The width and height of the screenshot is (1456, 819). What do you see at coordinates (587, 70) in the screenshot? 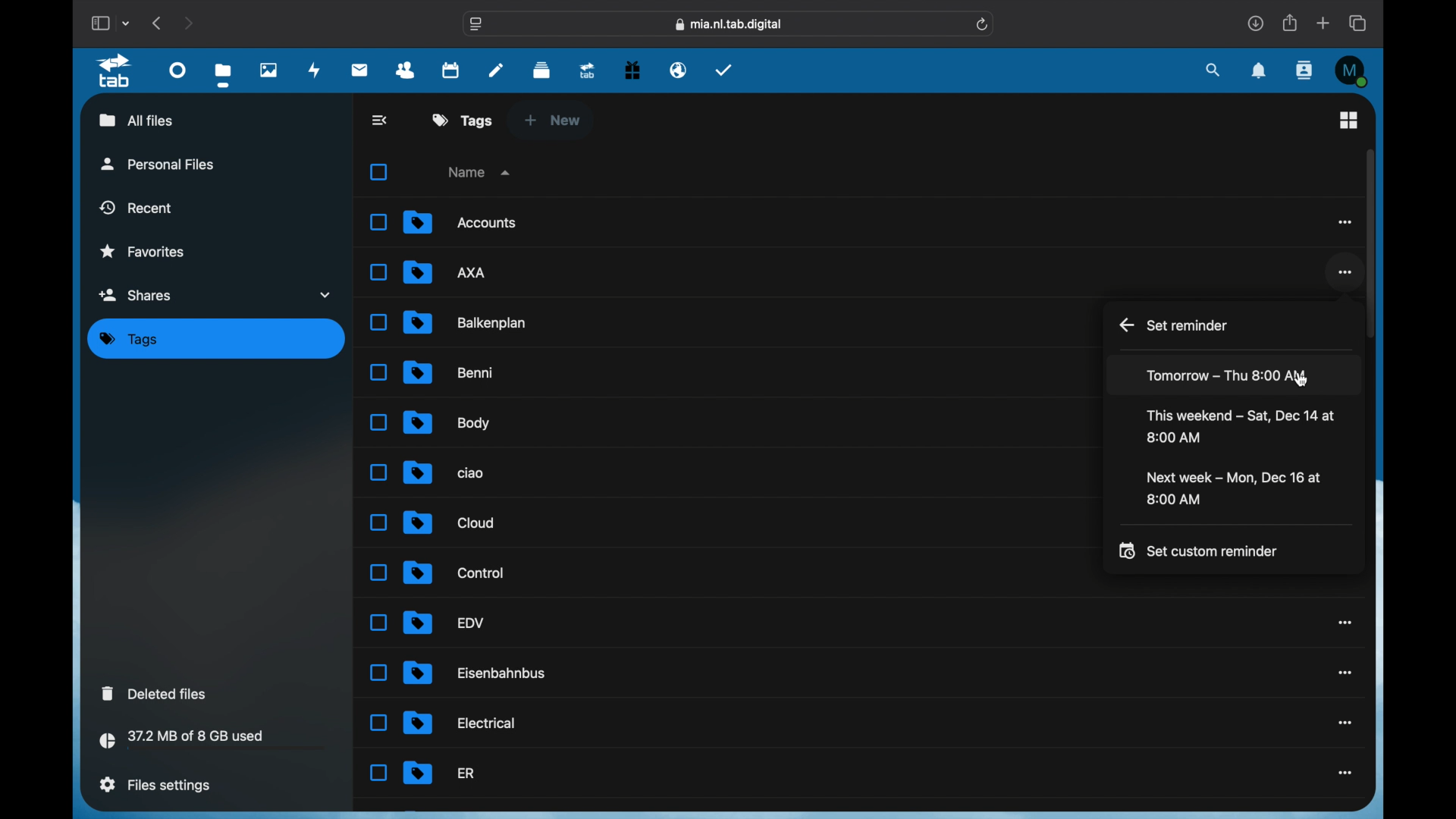
I see `upgrade` at bounding box center [587, 70].